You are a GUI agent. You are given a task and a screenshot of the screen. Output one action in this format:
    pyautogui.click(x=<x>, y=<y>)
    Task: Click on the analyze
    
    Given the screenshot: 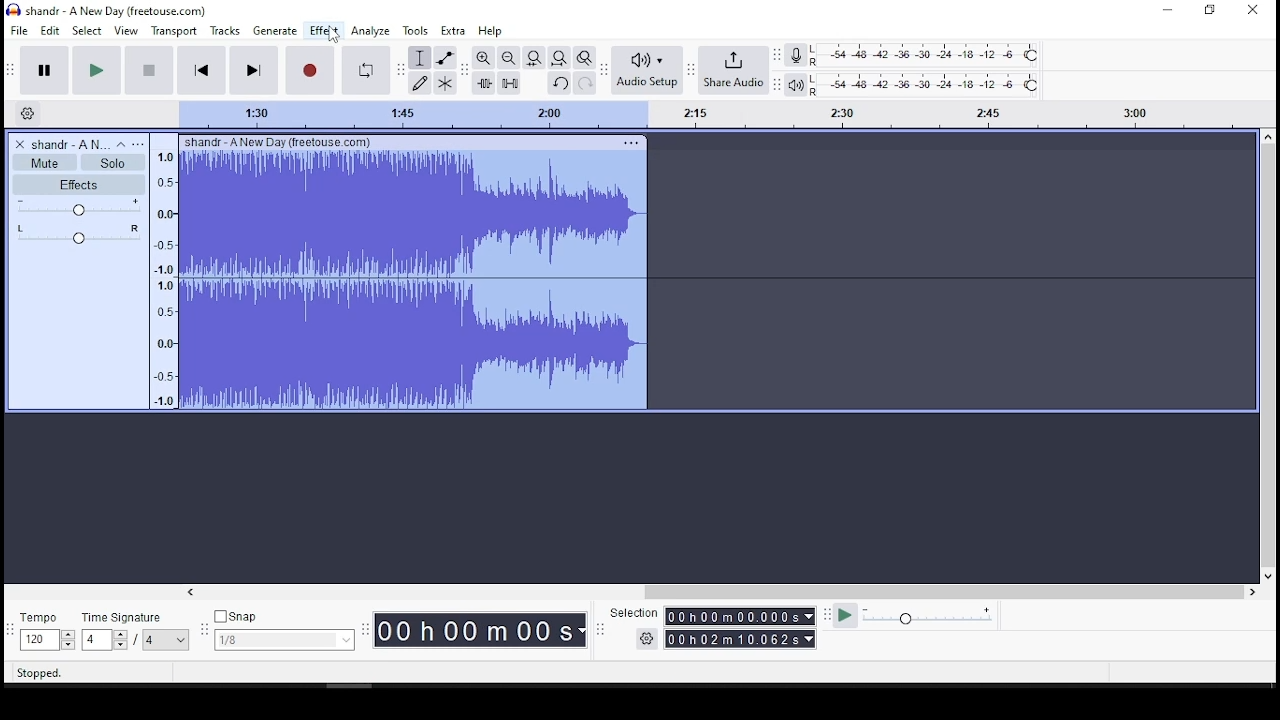 What is the action you would take?
    pyautogui.click(x=371, y=30)
    